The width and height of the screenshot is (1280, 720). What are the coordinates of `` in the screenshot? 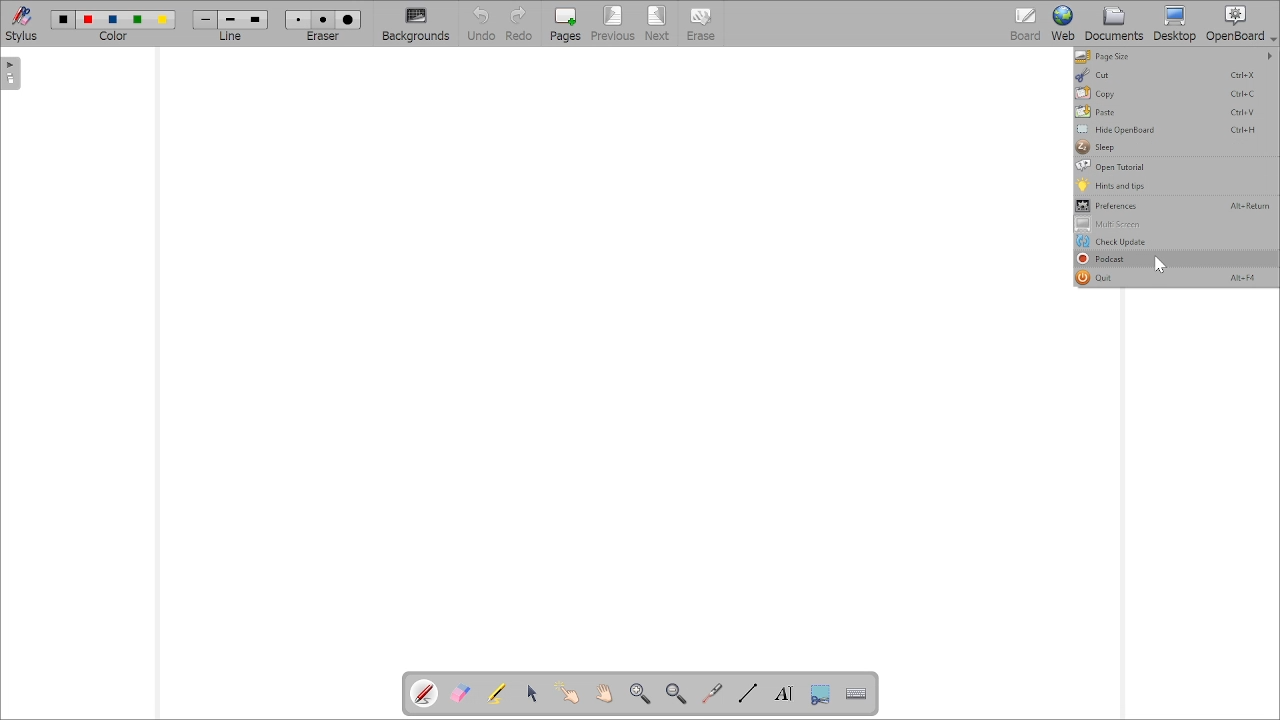 It's located at (1175, 147).